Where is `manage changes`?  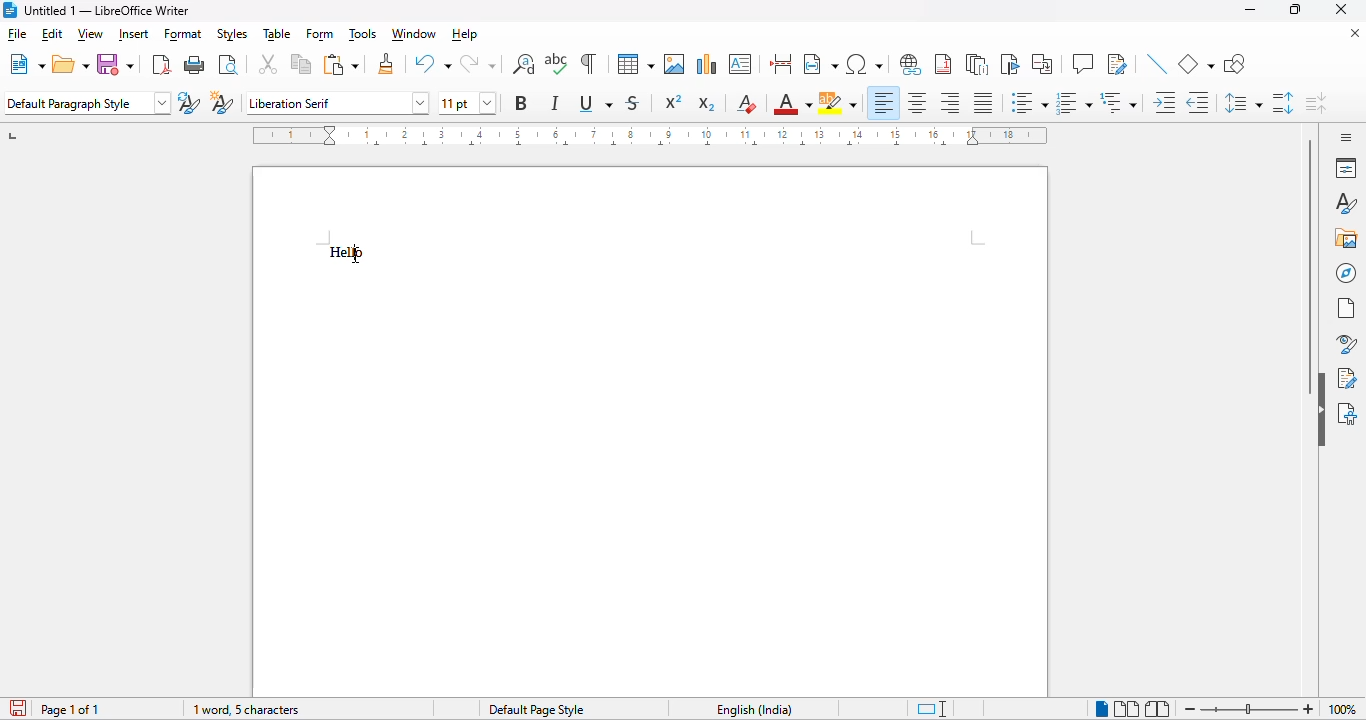
manage changes is located at coordinates (1349, 378).